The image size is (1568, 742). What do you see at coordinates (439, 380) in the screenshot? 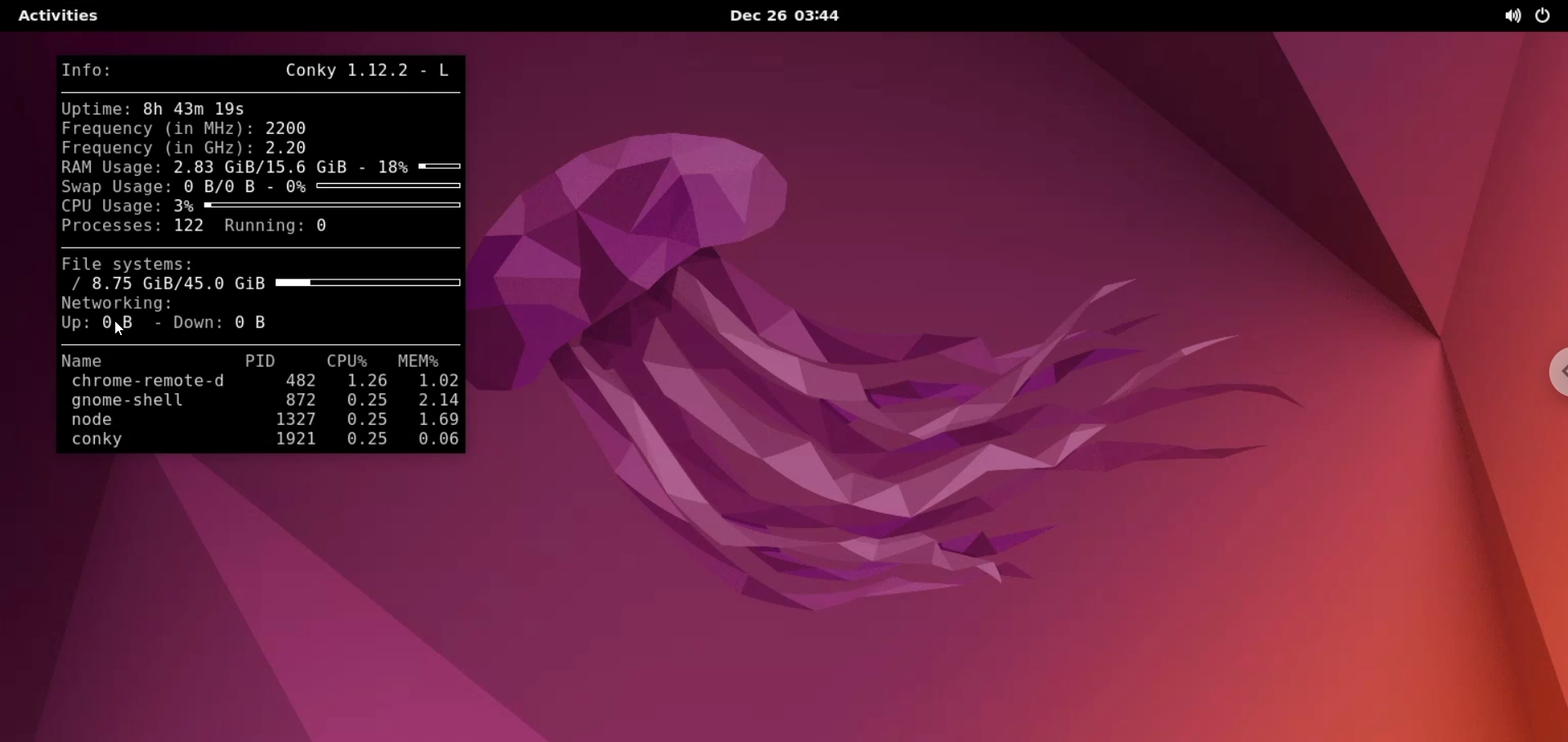
I see `1.02` at bounding box center [439, 380].